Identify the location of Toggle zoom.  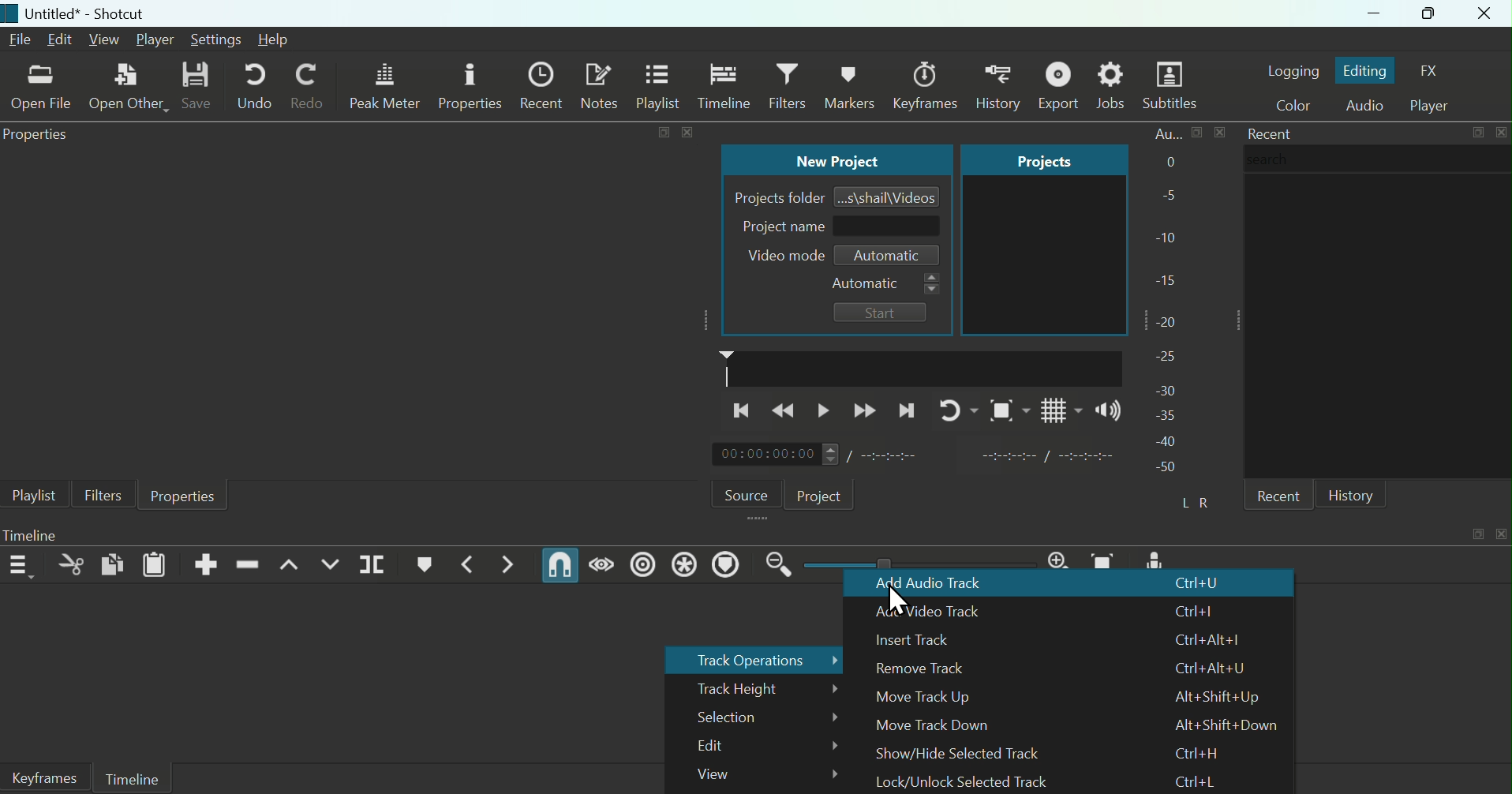
(1003, 410).